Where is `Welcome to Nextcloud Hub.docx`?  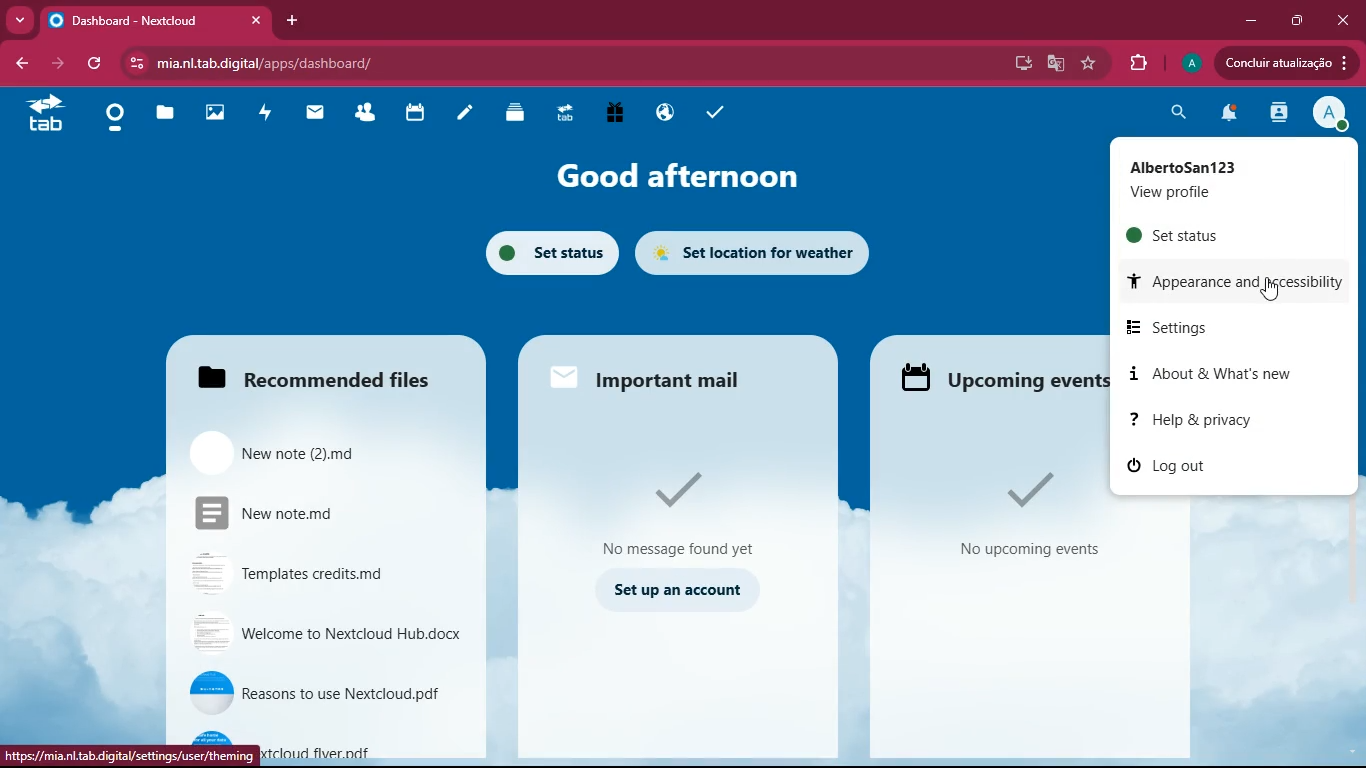 Welcome to Nextcloud Hub.docx is located at coordinates (326, 631).